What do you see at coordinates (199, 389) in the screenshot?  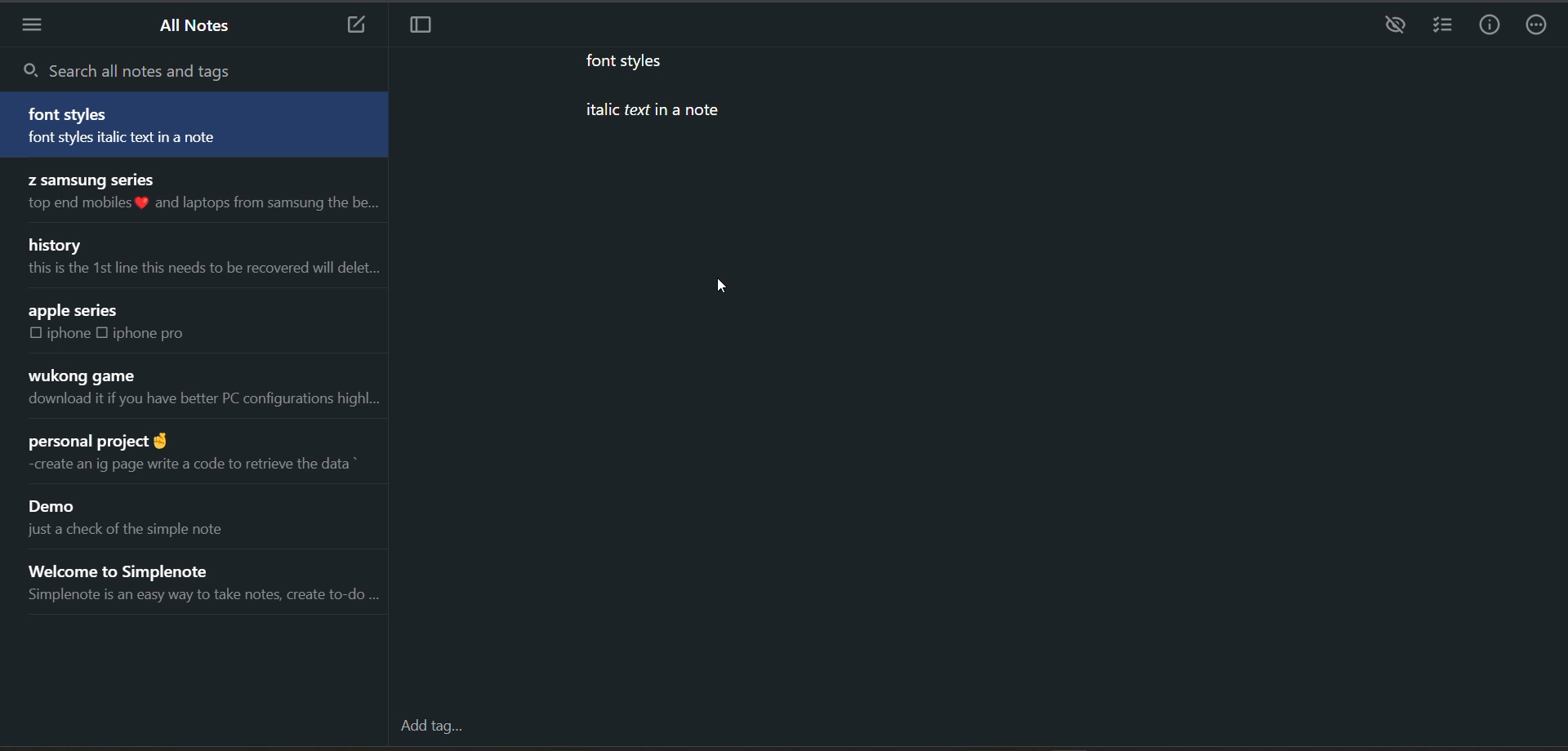 I see `note title and preview` at bounding box center [199, 389].